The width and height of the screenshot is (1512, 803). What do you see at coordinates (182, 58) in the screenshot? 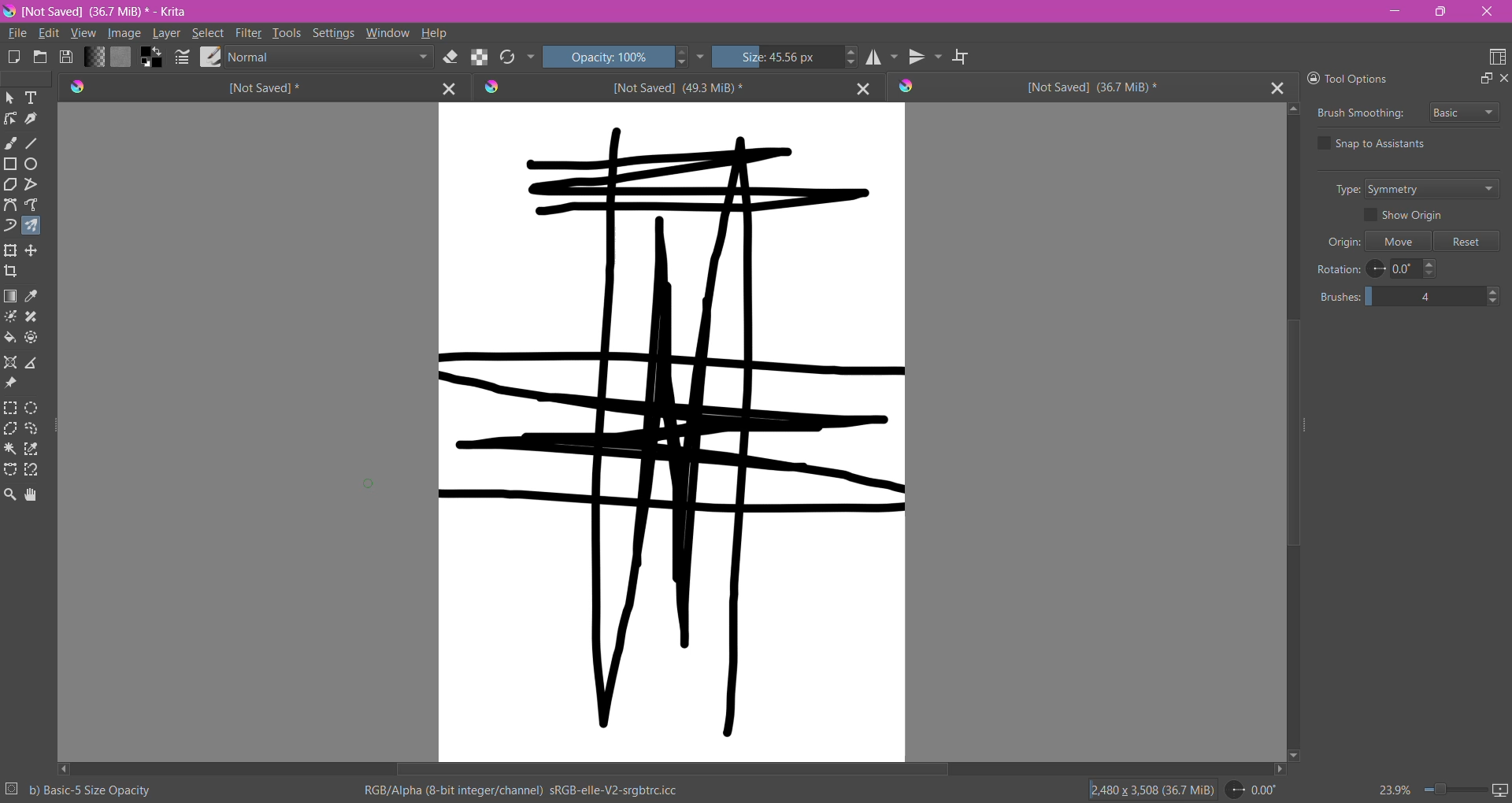
I see `Edit Bursh Settings` at bounding box center [182, 58].